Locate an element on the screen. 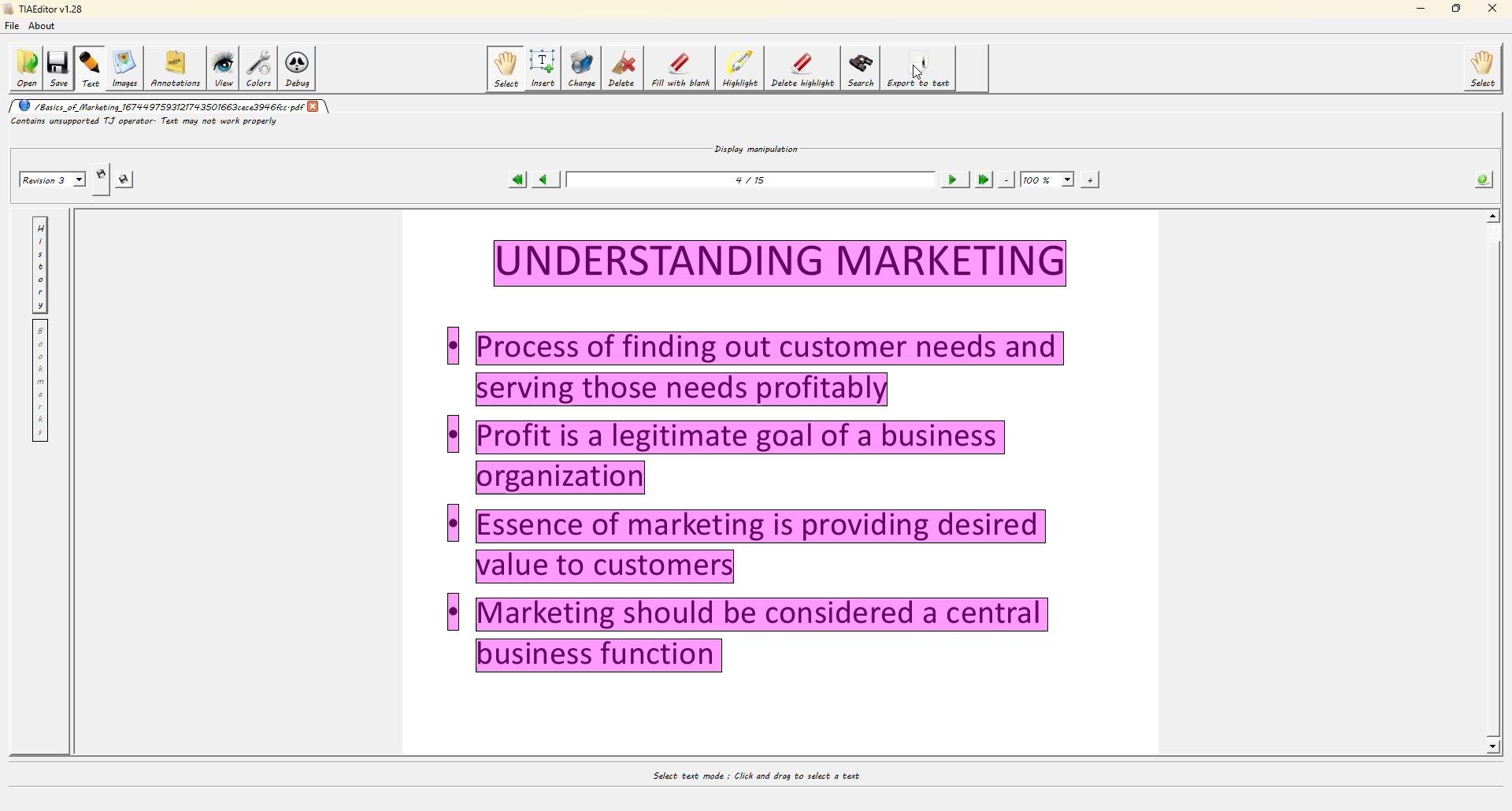 The image size is (1512, 811). insert is located at coordinates (543, 69).